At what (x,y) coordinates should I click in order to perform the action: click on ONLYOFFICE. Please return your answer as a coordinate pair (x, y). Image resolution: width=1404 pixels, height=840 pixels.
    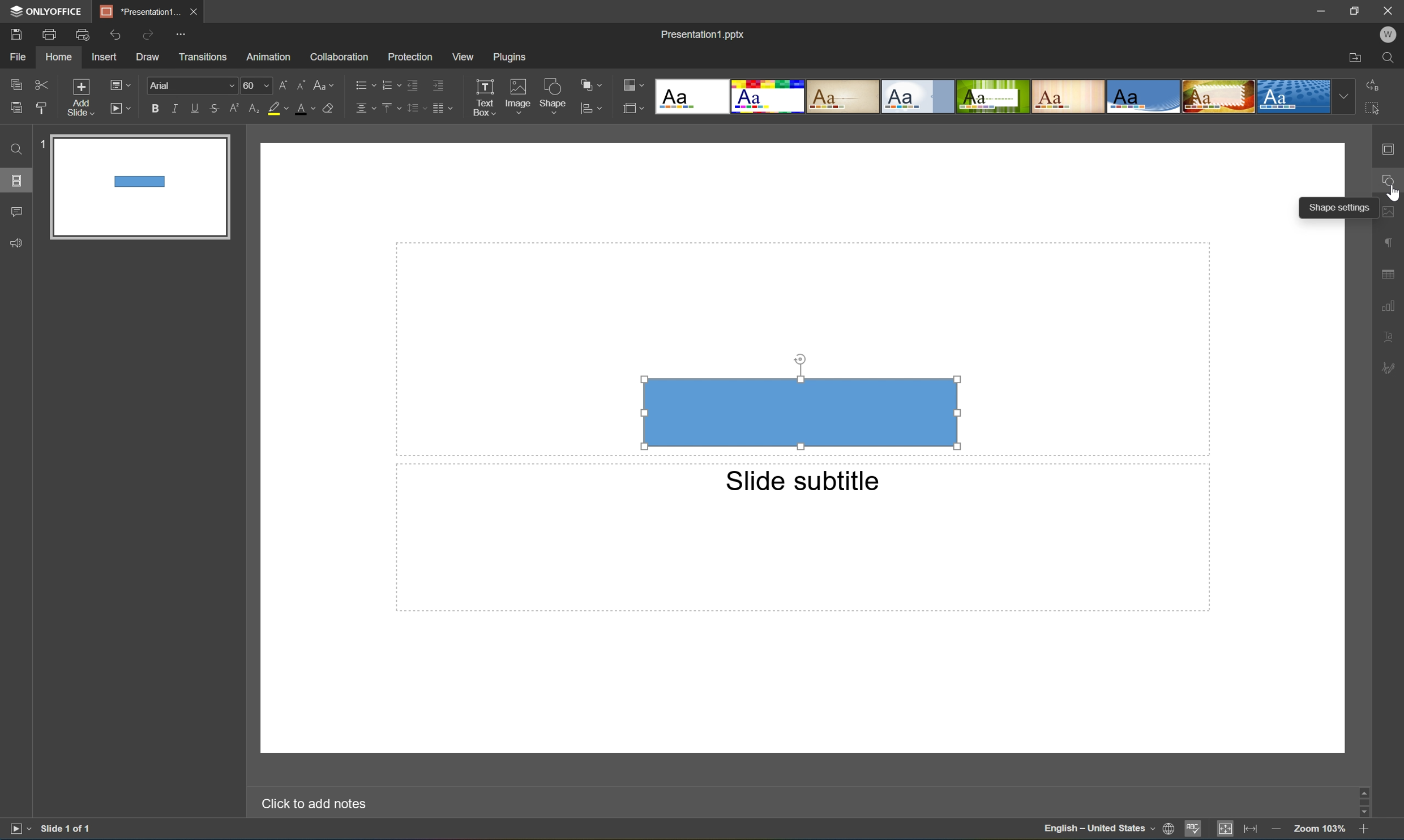
    Looking at the image, I should click on (48, 12).